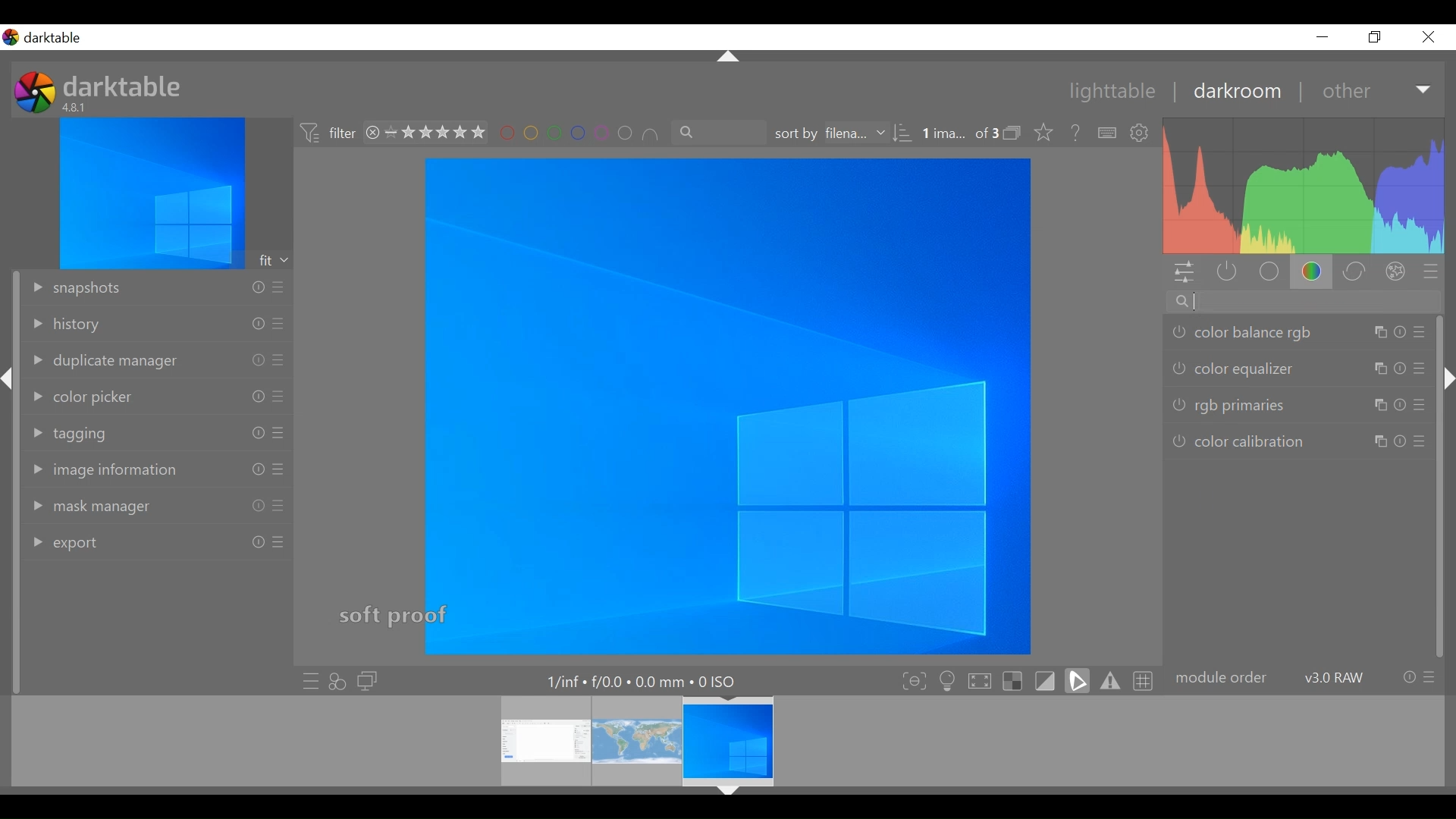 The width and height of the screenshot is (1456, 819). Describe the element at coordinates (337, 681) in the screenshot. I see `quick access for applying any styles` at that location.